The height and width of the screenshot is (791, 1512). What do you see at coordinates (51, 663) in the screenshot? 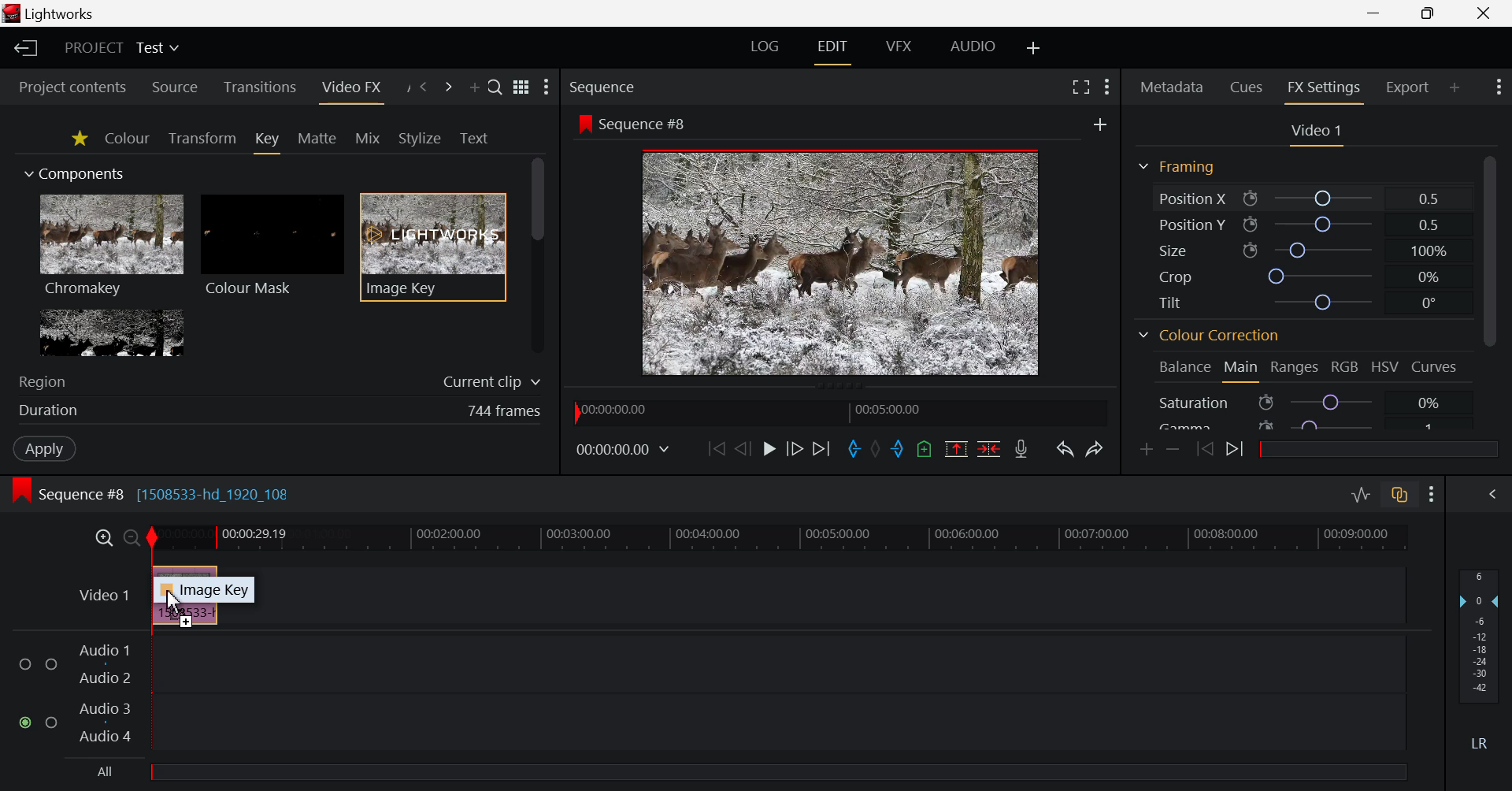
I see `checkbox` at bounding box center [51, 663].